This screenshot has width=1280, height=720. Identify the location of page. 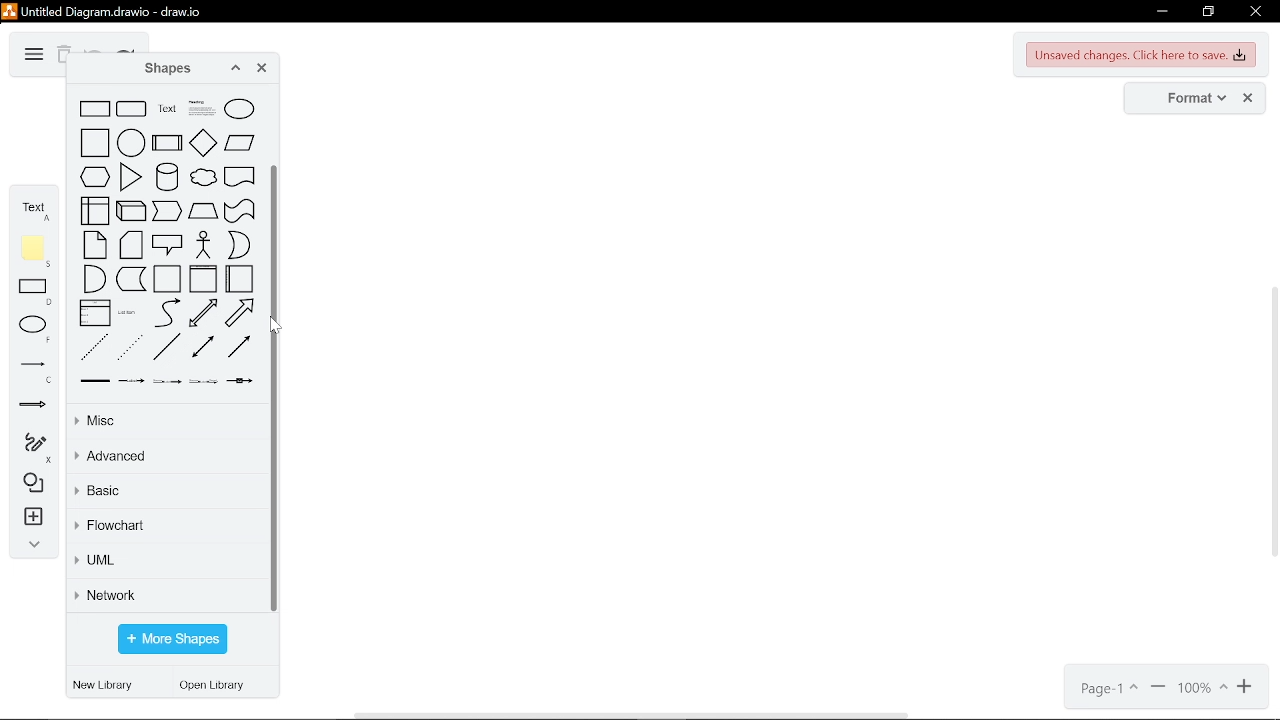
(1107, 689).